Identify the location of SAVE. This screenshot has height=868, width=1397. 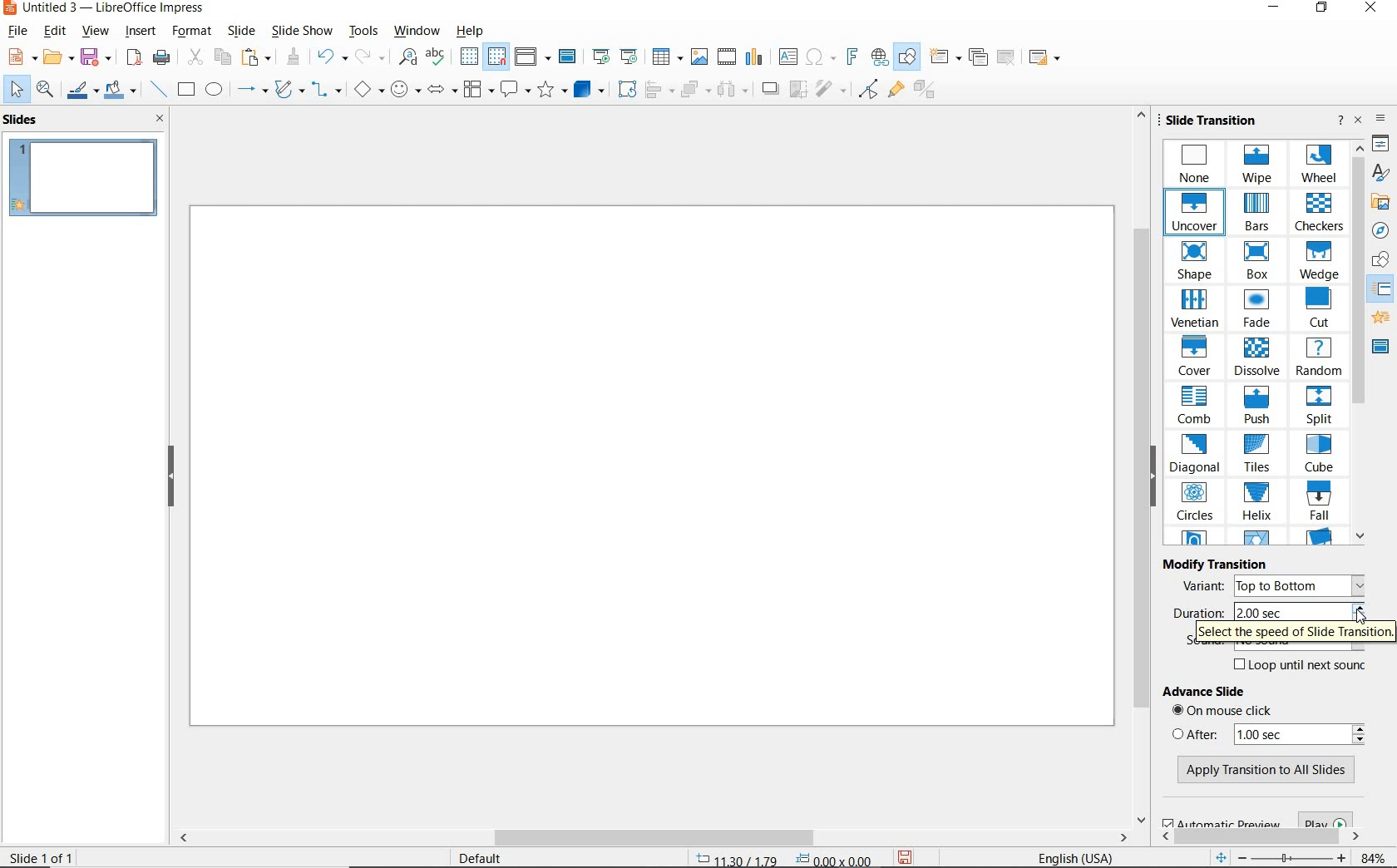
(96, 56).